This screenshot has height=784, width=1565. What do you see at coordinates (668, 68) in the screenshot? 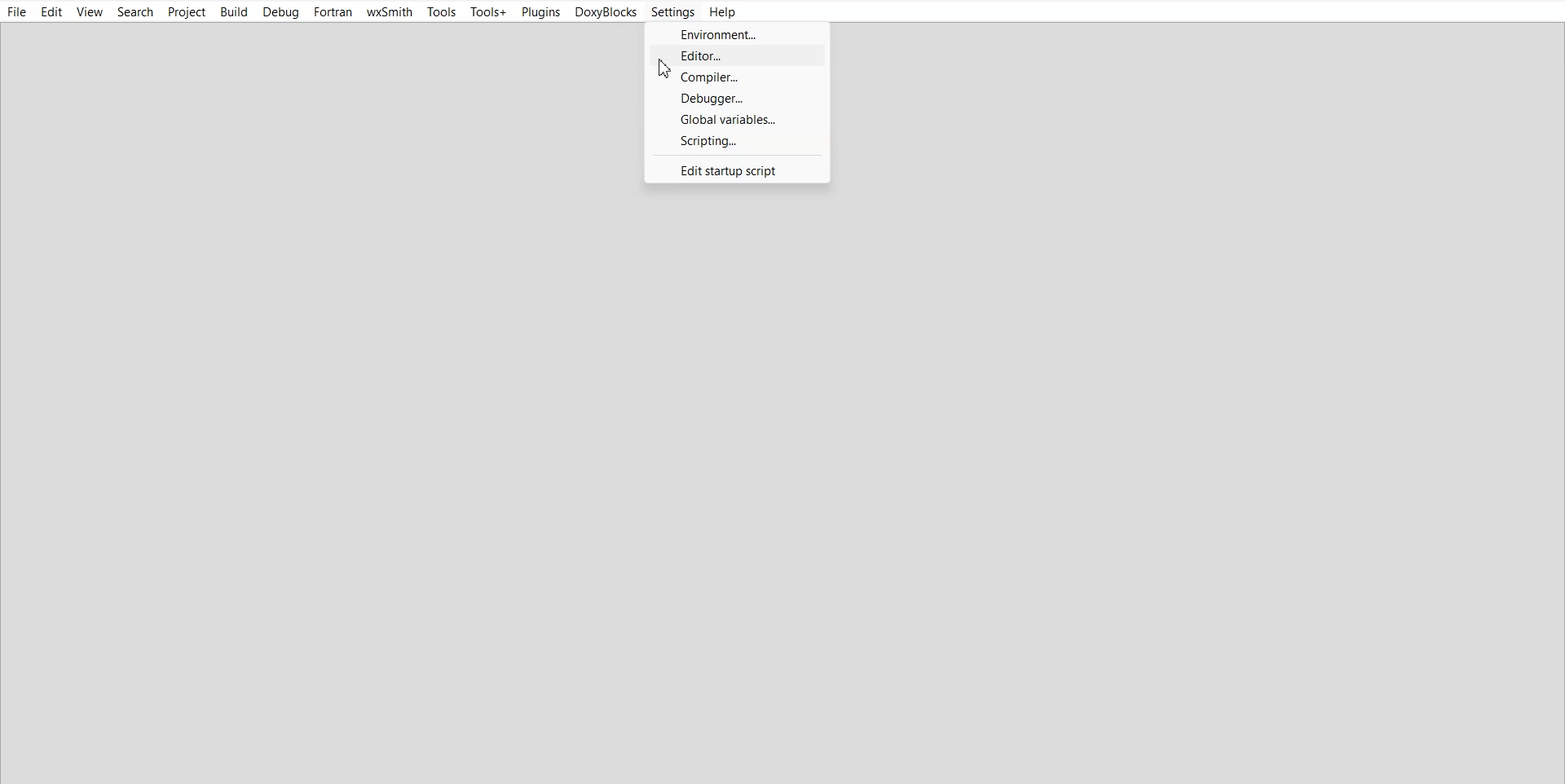
I see `Cursor` at bounding box center [668, 68].